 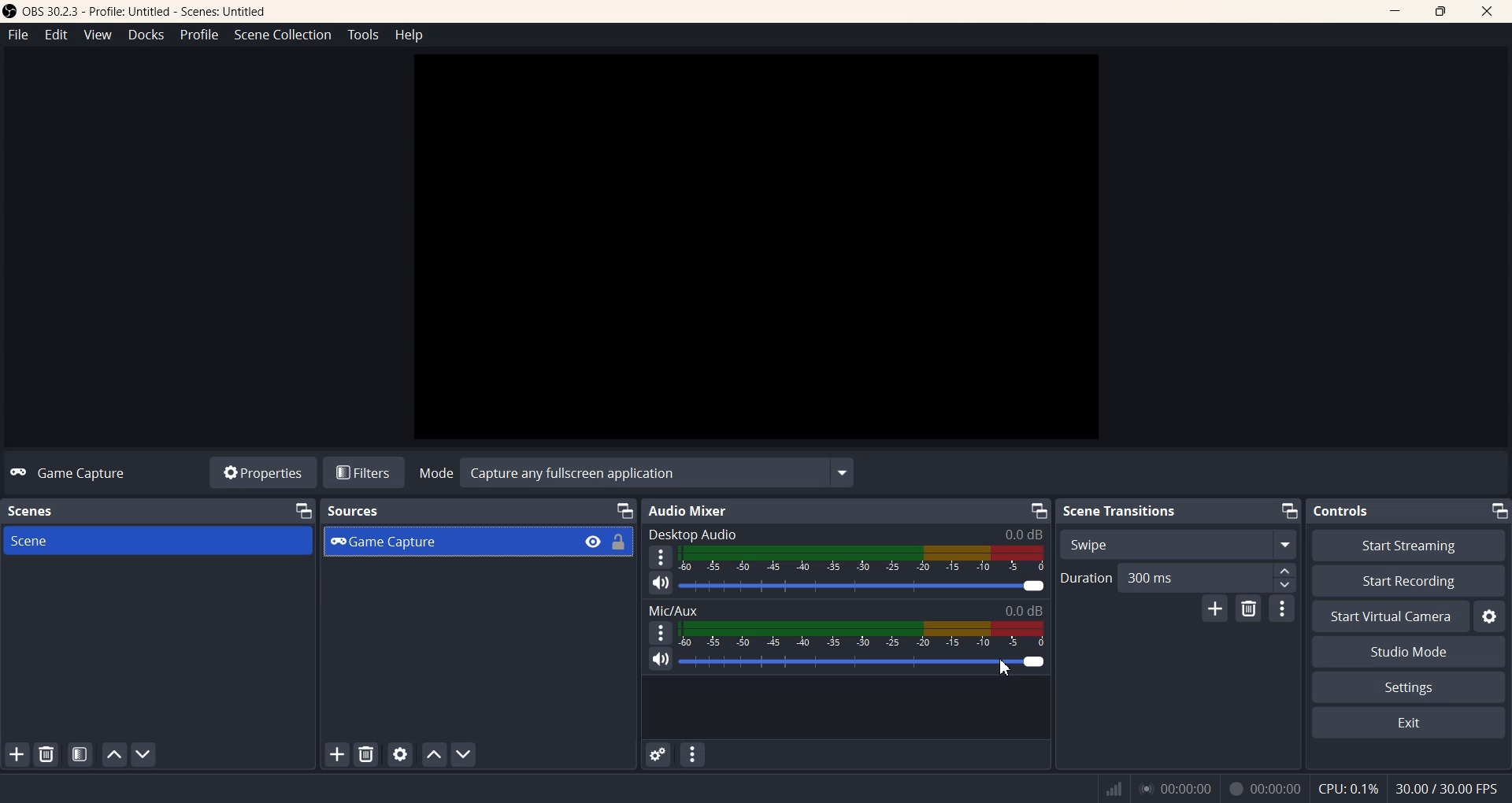 I want to click on Minimize, so click(x=1392, y=12).